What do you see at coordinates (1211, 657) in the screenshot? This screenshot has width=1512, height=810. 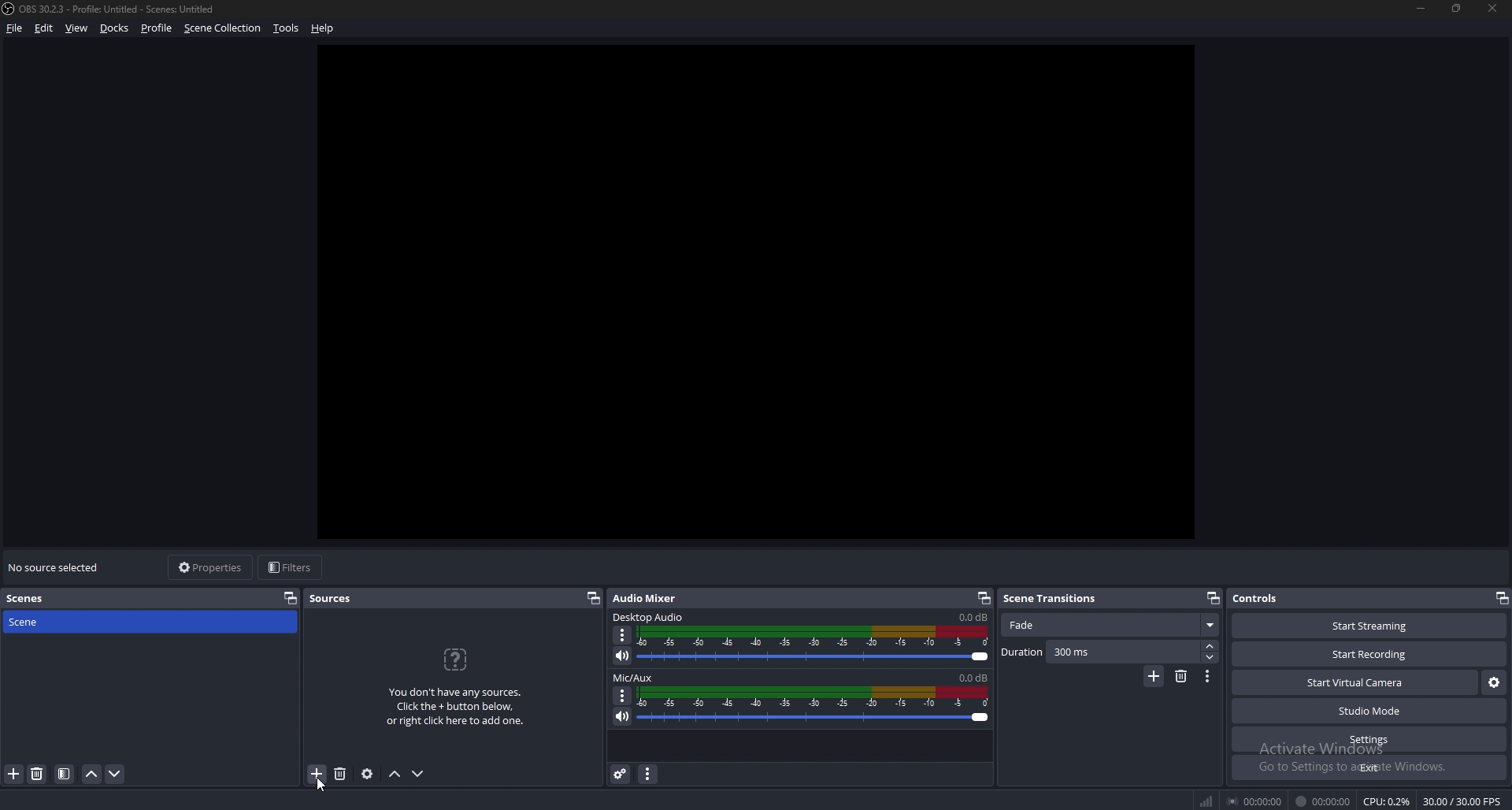 I see `Decrease duration` at bounding box center [1211, 657].